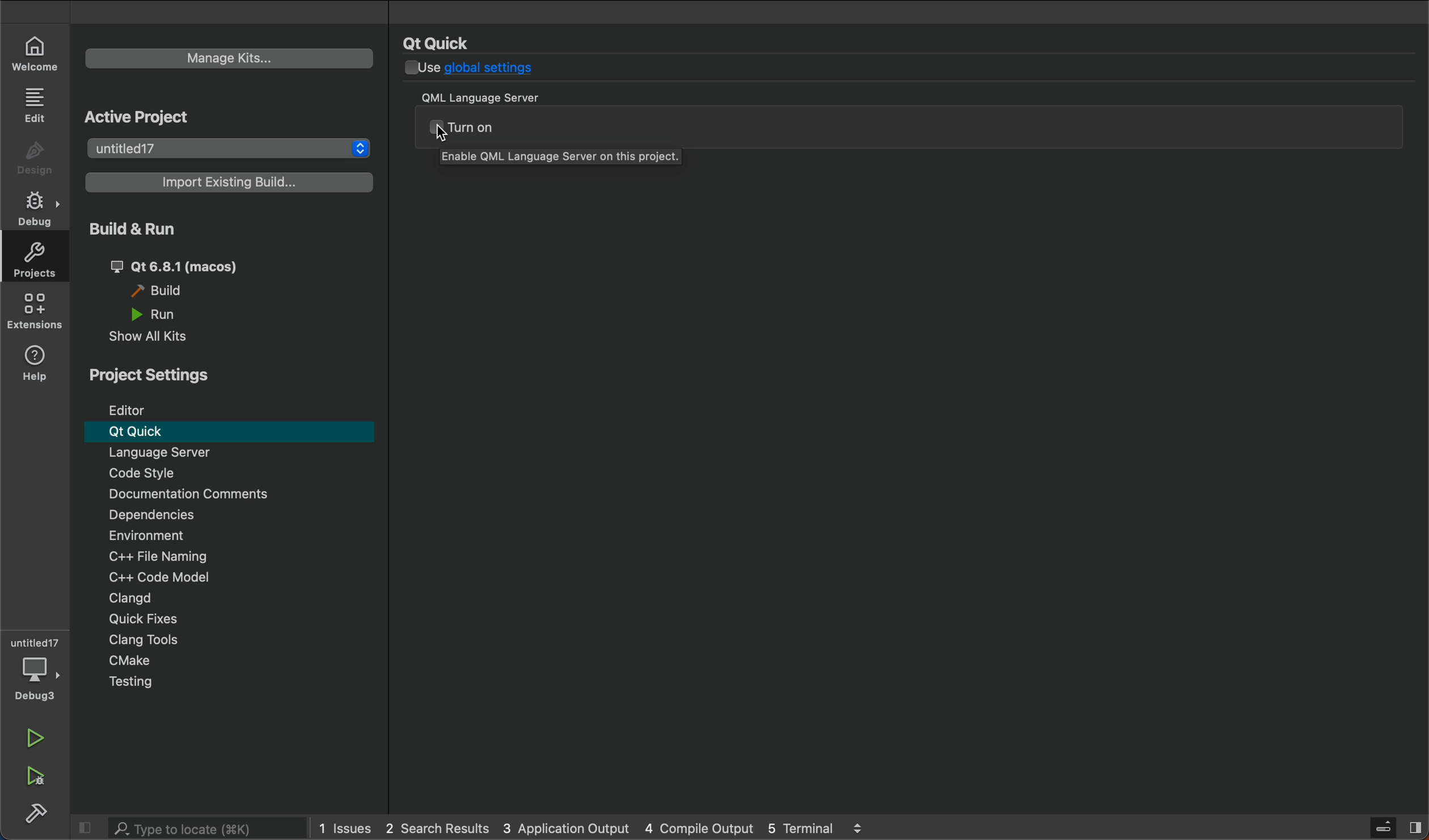 This screenshot has height=840, width=1429. Describe the element at coordinates (439, 828) in the screenshot. I see `2 search result` at that location.